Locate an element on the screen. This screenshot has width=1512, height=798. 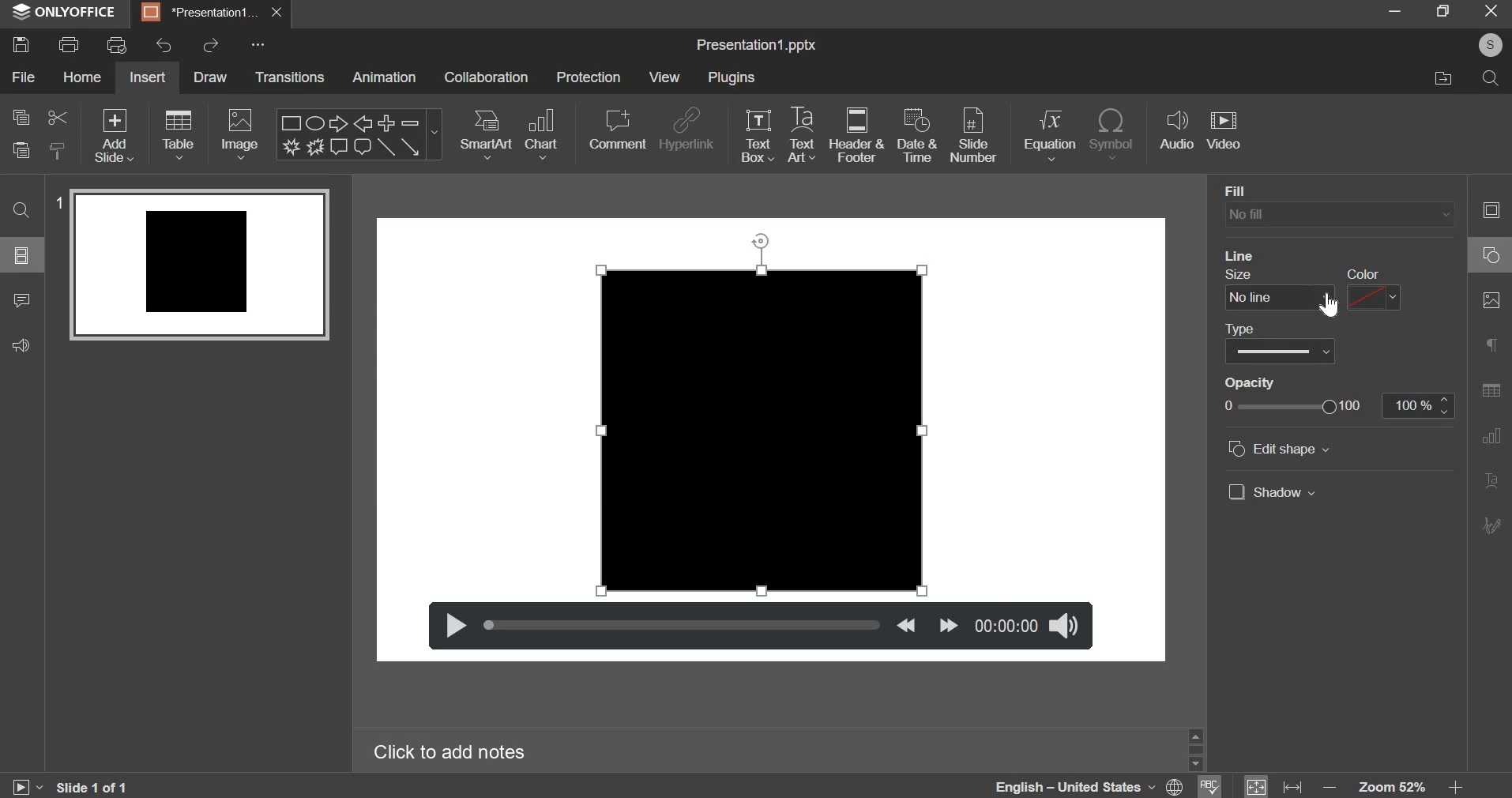
view is located at coordinates (664, 77).